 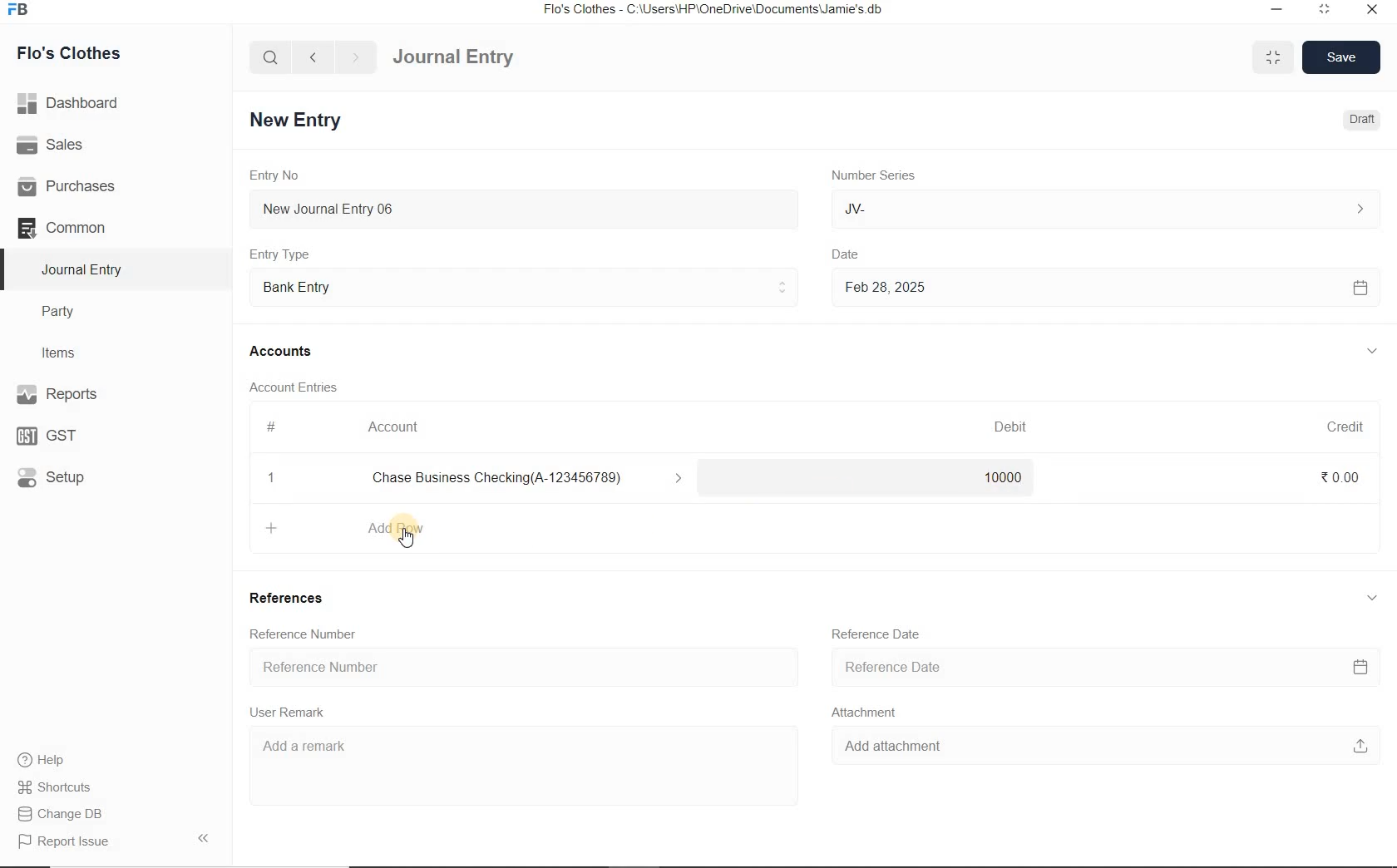 I want to click on minimize, so click(x=1275, y=8).